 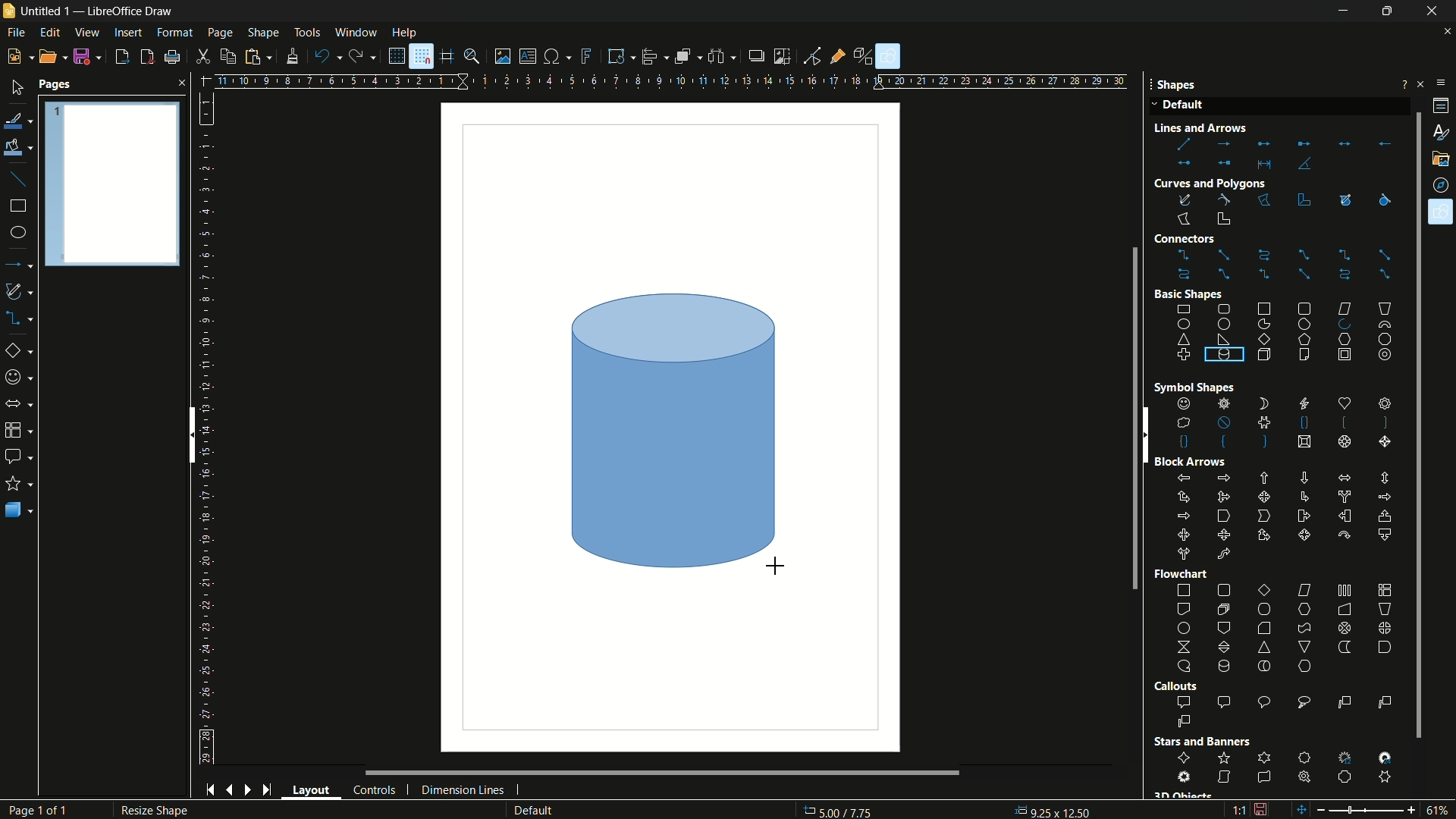 What do you see at coordinates (129, 11) in the screenshot?
I see `app name` at bounding box center [129, 11].